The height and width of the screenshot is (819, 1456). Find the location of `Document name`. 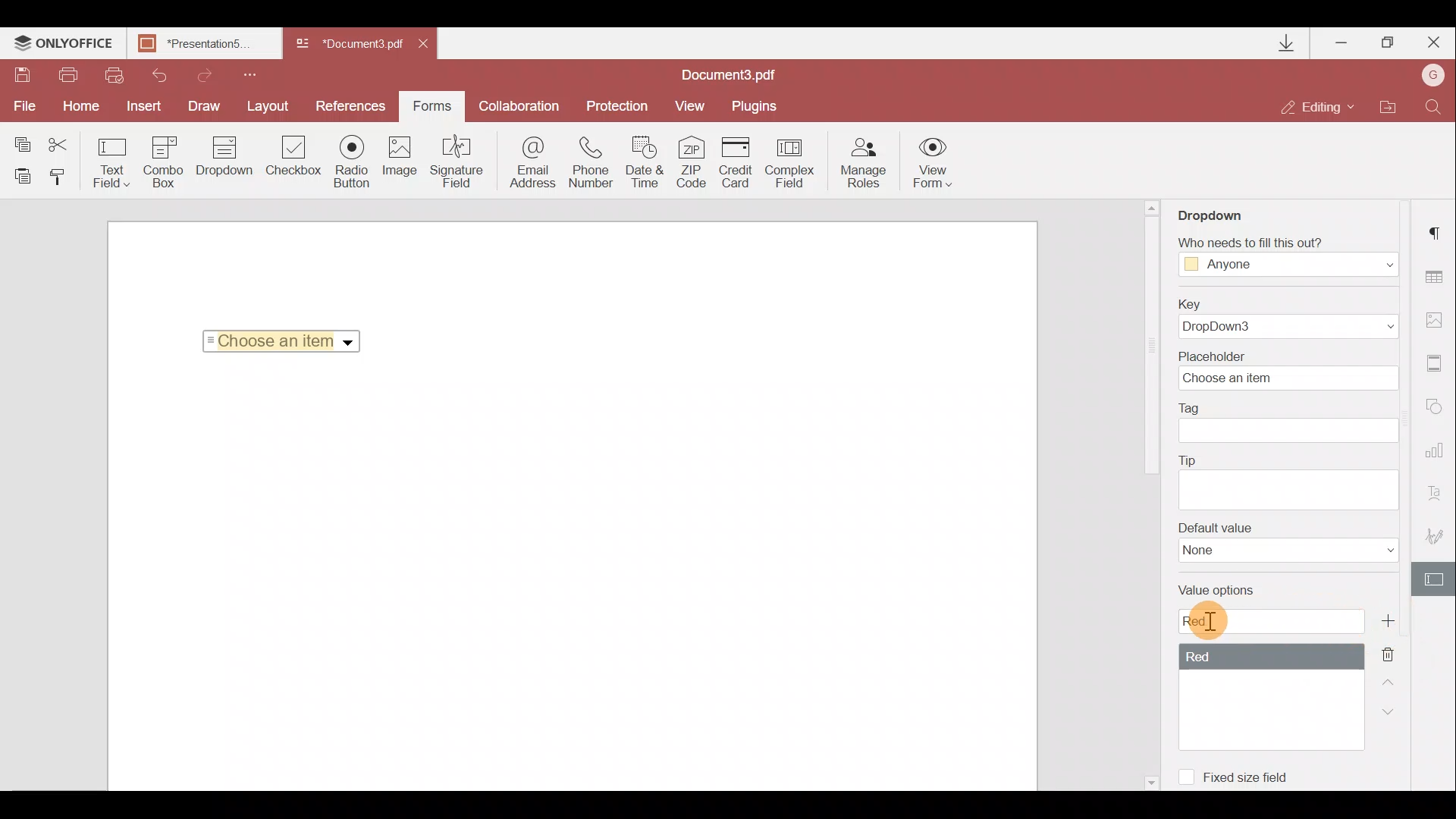

Document name is located at coordinates (736, 74).